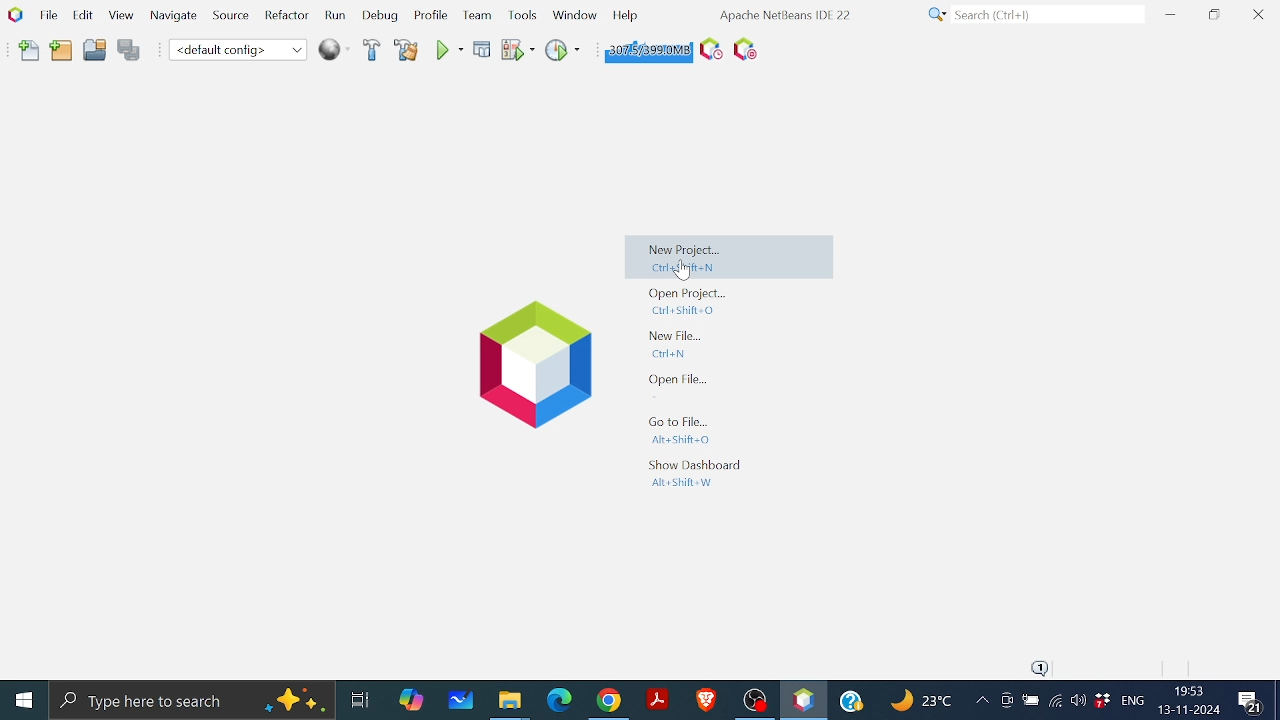 Image resolution: width=1280 pixels, height=720 pixels. I want to click on Copilot, so click(413, 698).